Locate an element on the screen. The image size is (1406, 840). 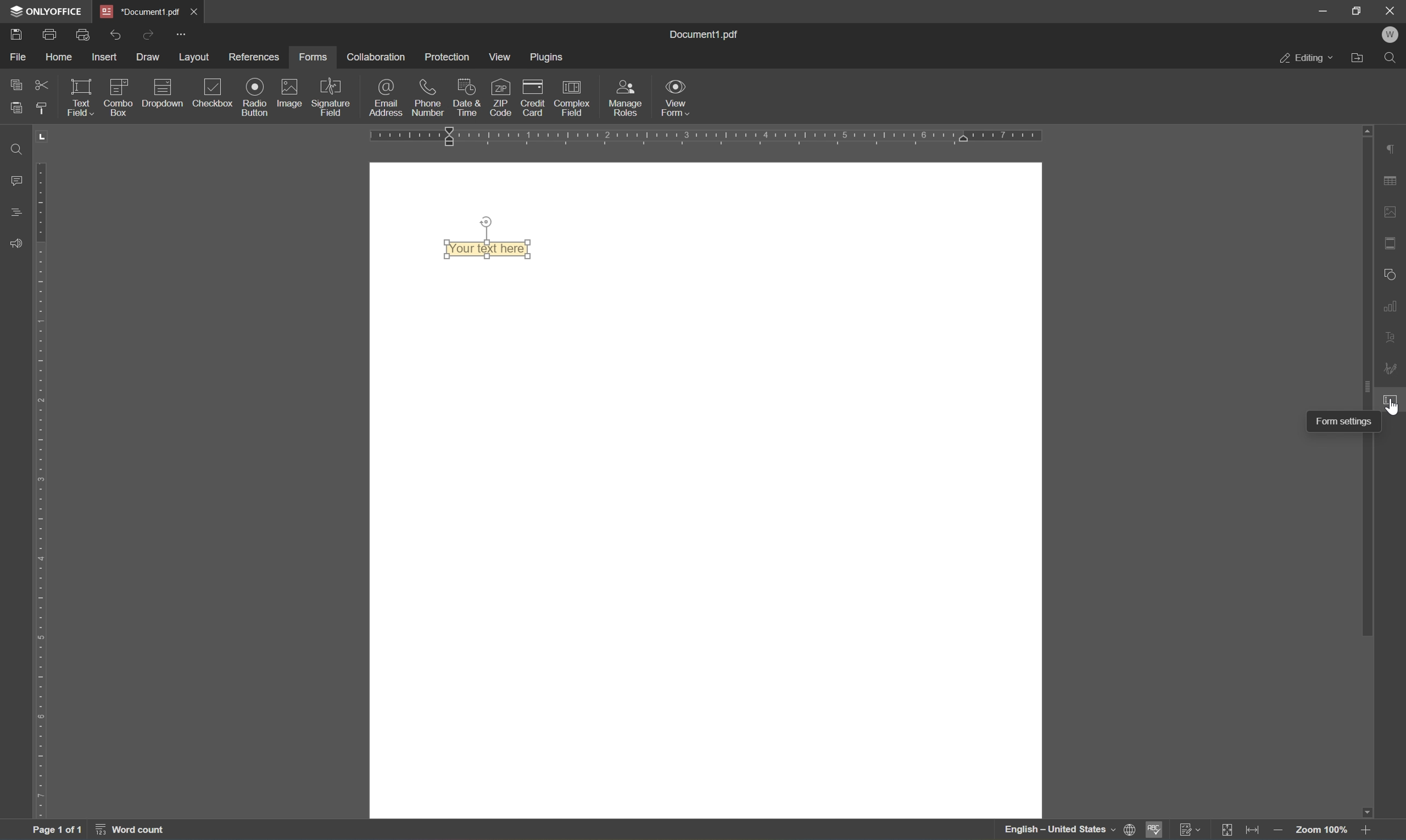
Page 1 of 1 is located at coordinates (57, 832).